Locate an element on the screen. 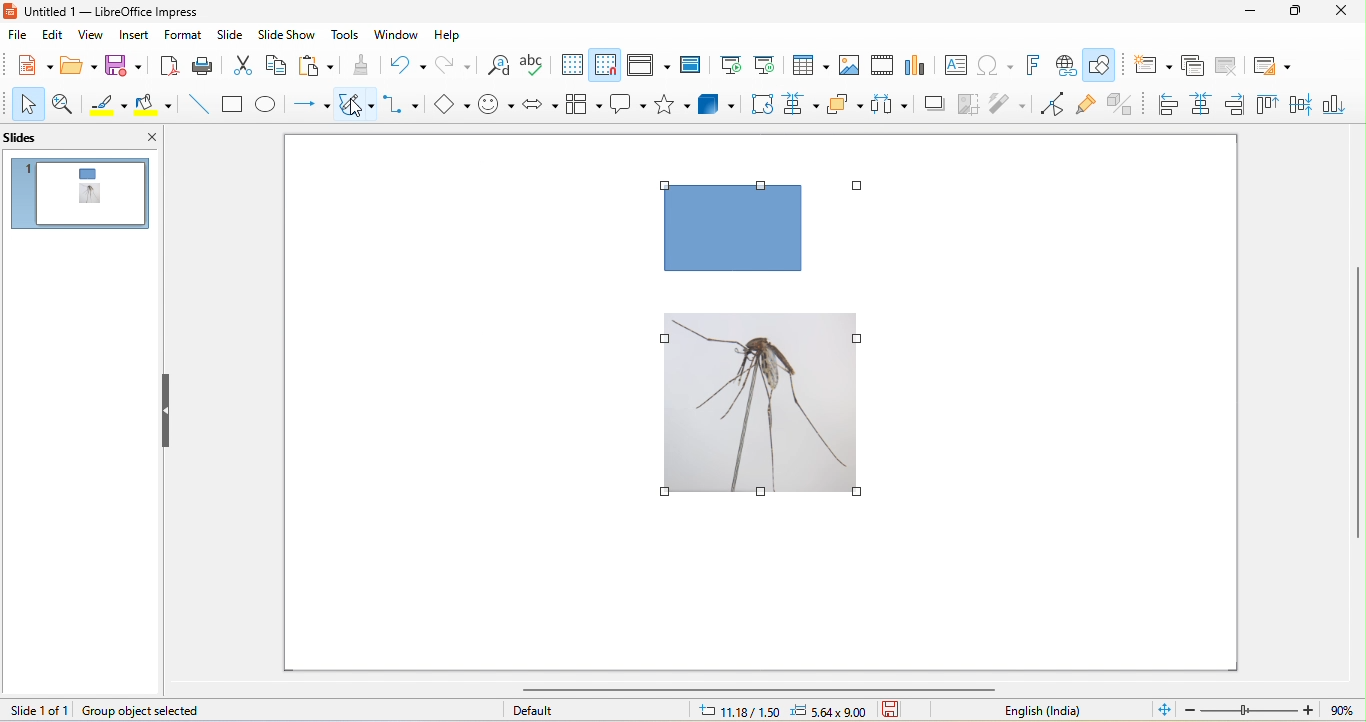 This screenshot has height=722, width=1366. lines and arrow is located at coordinates (311, 107).